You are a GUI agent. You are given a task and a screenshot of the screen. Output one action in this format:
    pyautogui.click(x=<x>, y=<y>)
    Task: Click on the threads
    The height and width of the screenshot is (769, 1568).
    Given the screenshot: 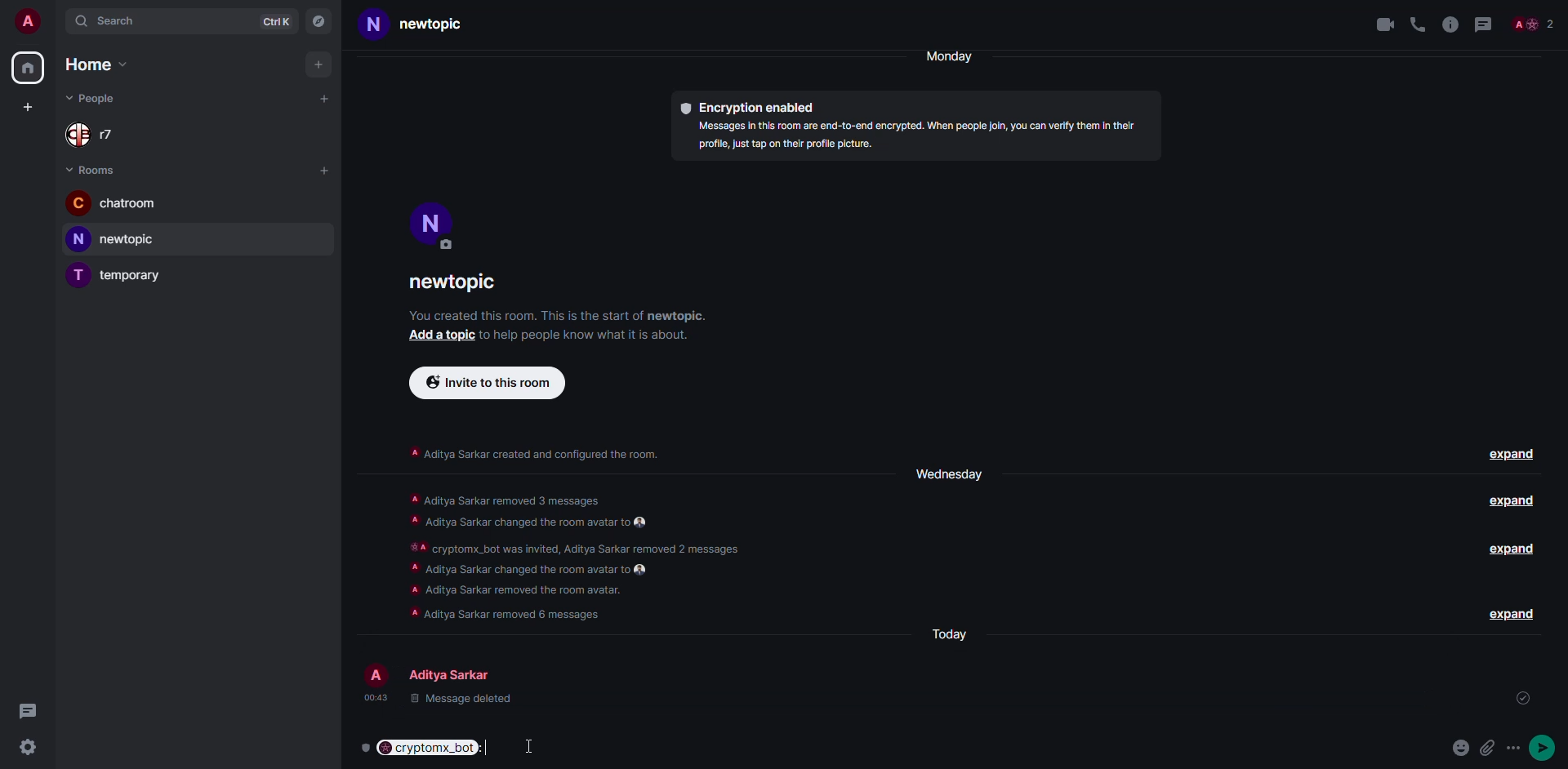 What is the action you would take?
    pyautogui.click(x=1488, y=24)
    